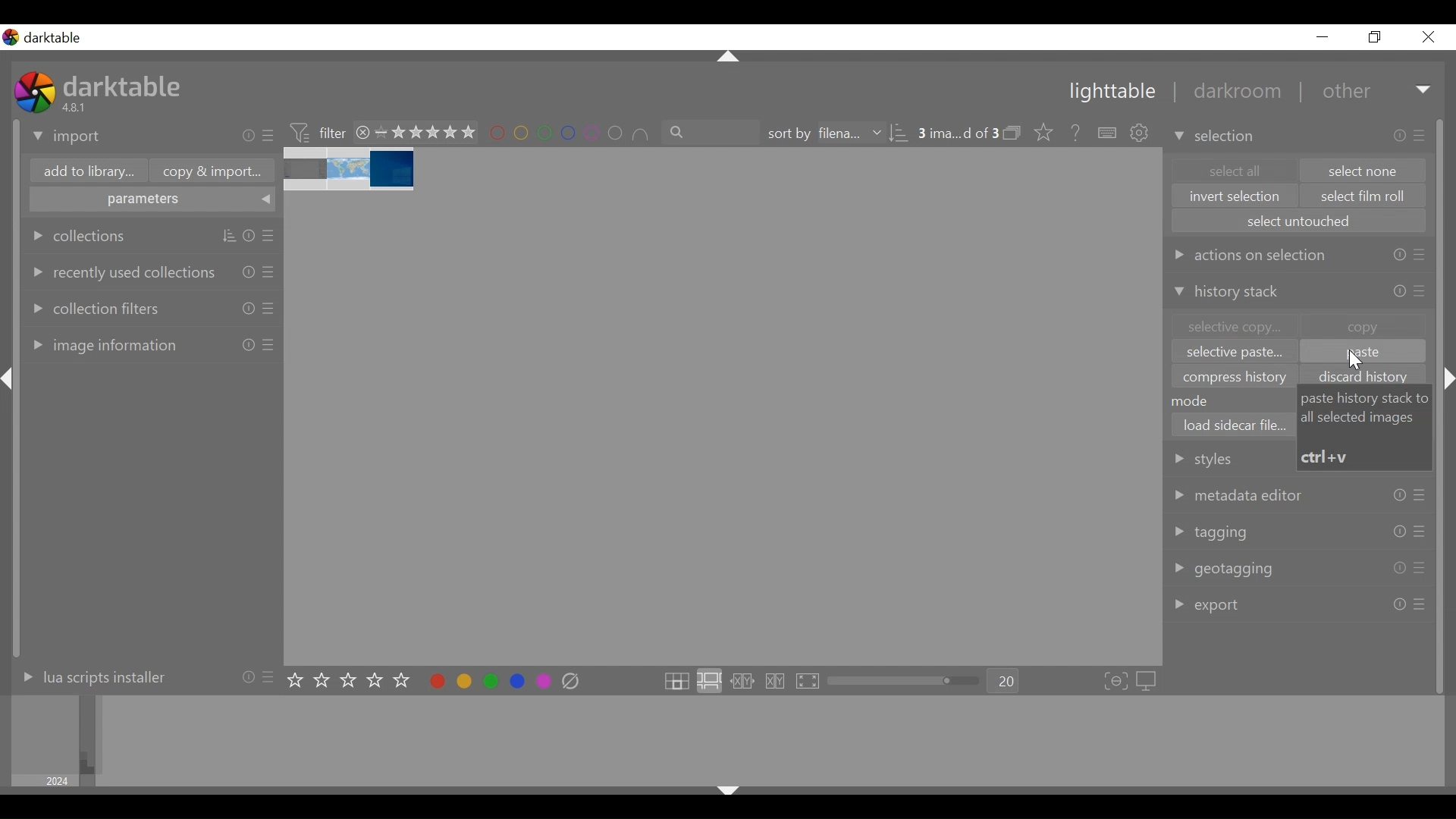  What do you see at coordinates (1368, 377) in the screenshot?
I see `discard history` at bounding box center [1368, 377].